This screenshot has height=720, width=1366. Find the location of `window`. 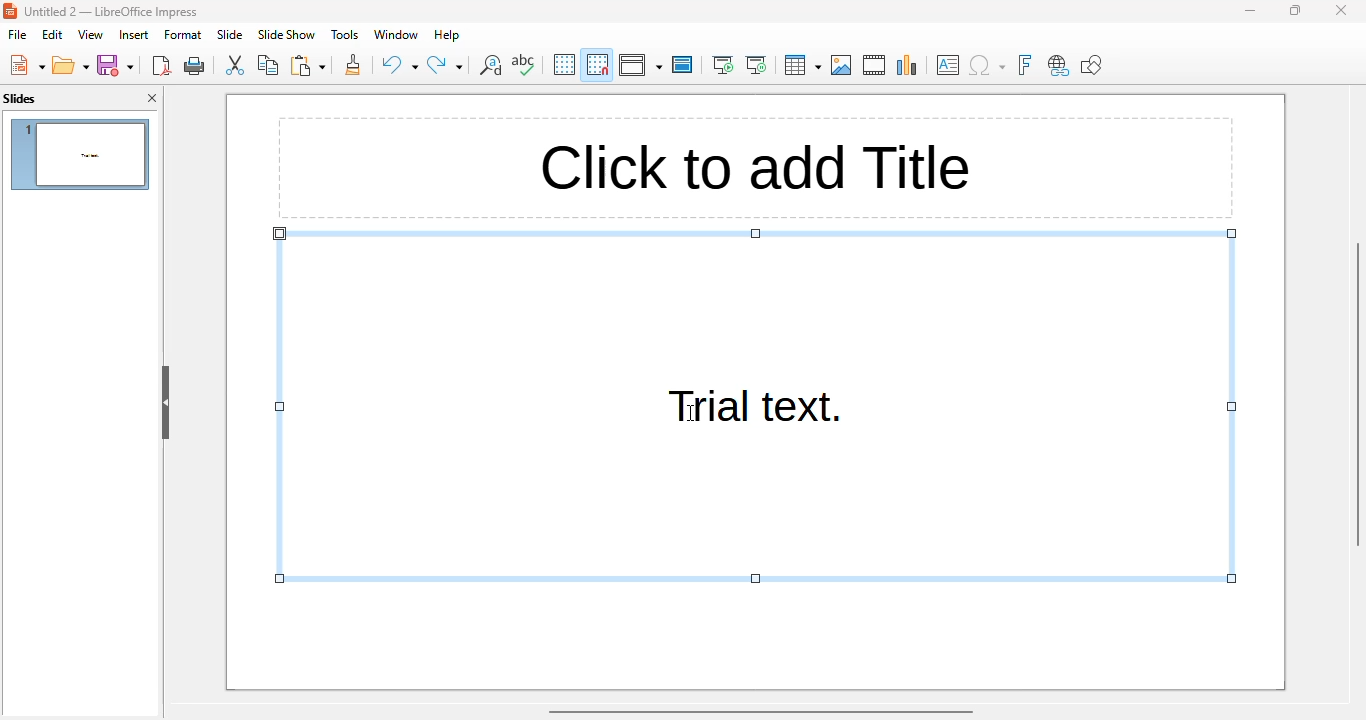

window is located at coordinates (398, 35).